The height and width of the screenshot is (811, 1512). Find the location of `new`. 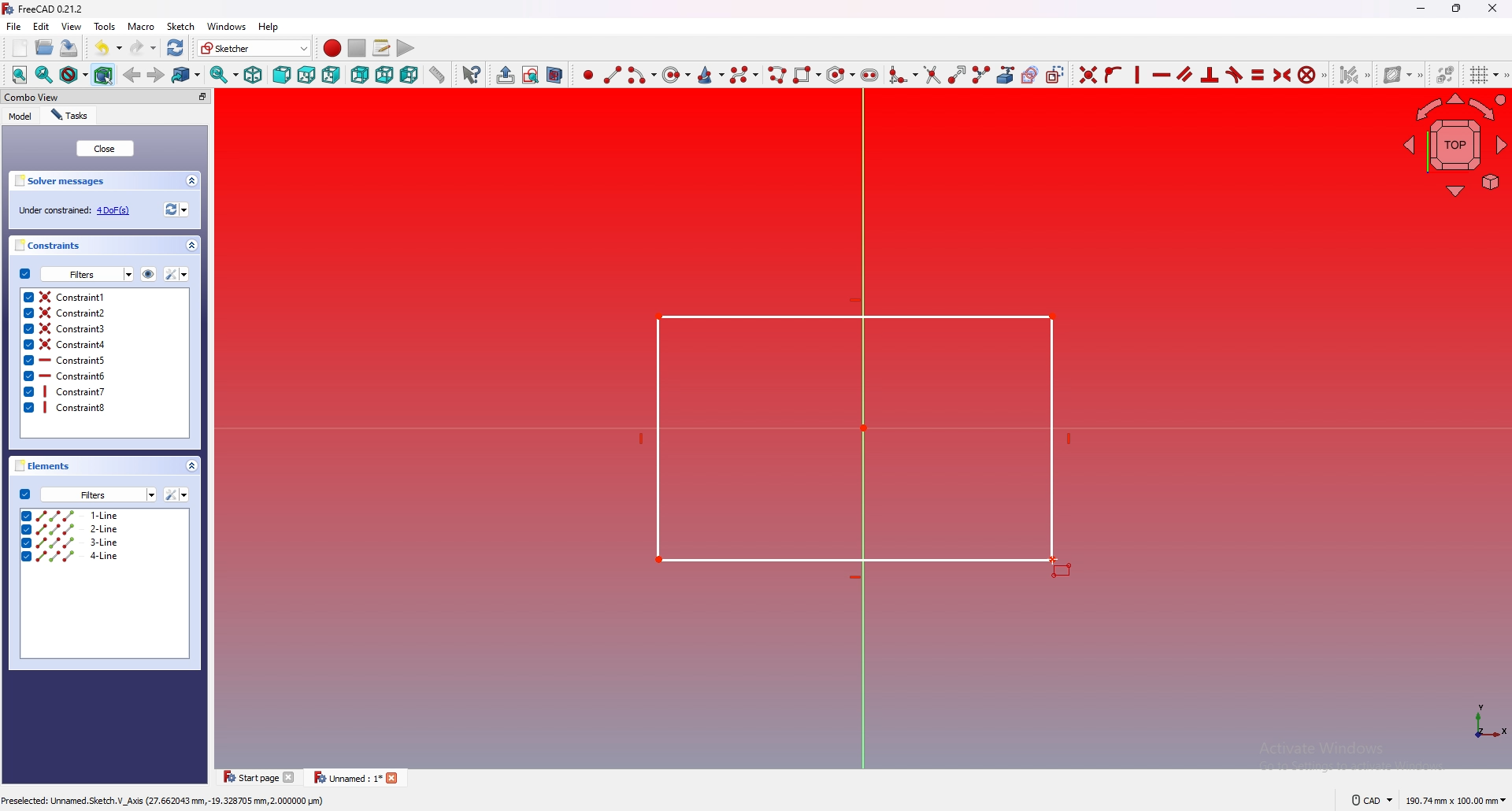

new is located at coordinates (20, 47).